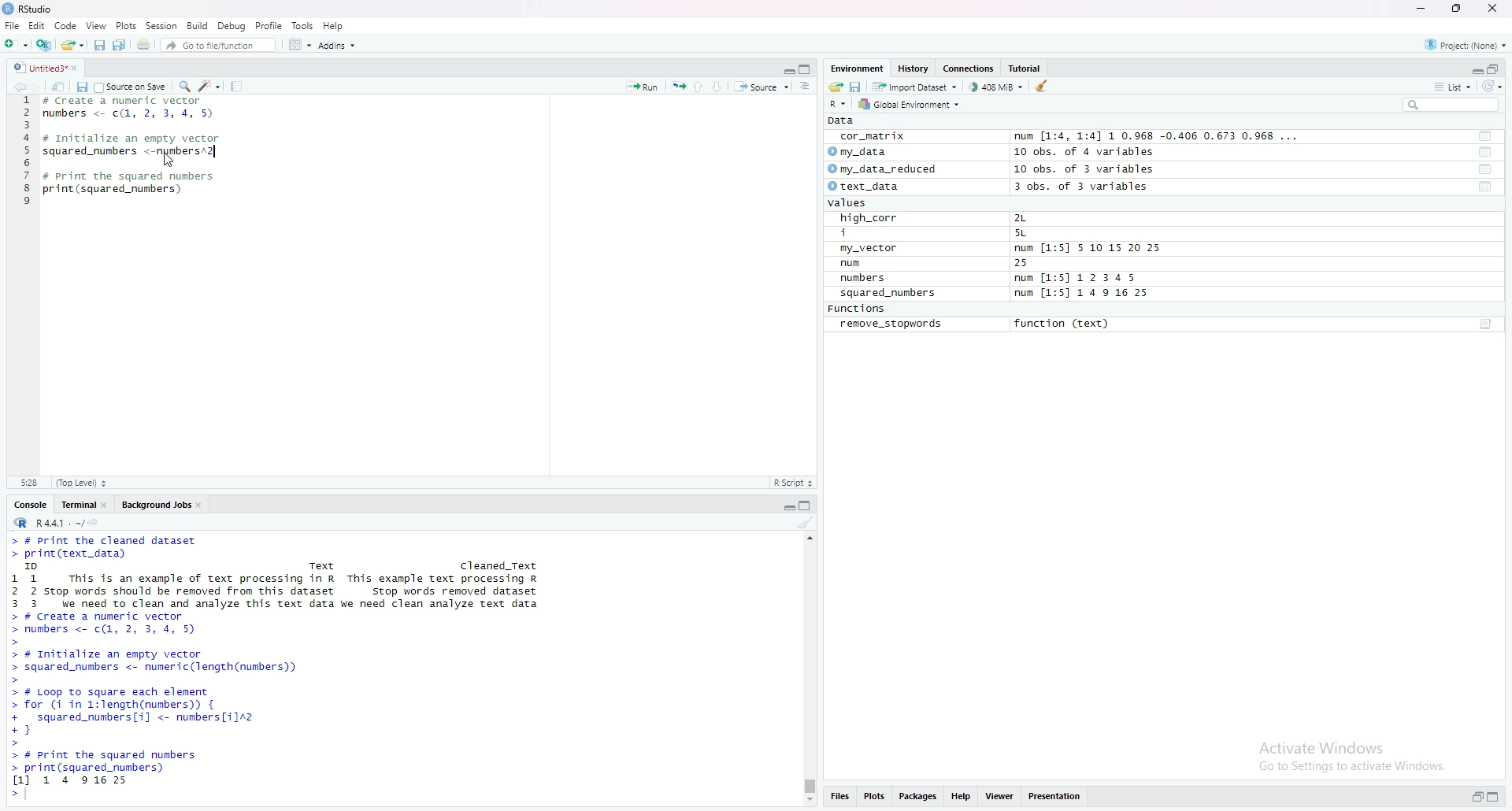 The image size is (1512, 811). What do you see at coordinates (19, 85) in the screenshot?
I see `move backward` at bounding box center [19, 85].